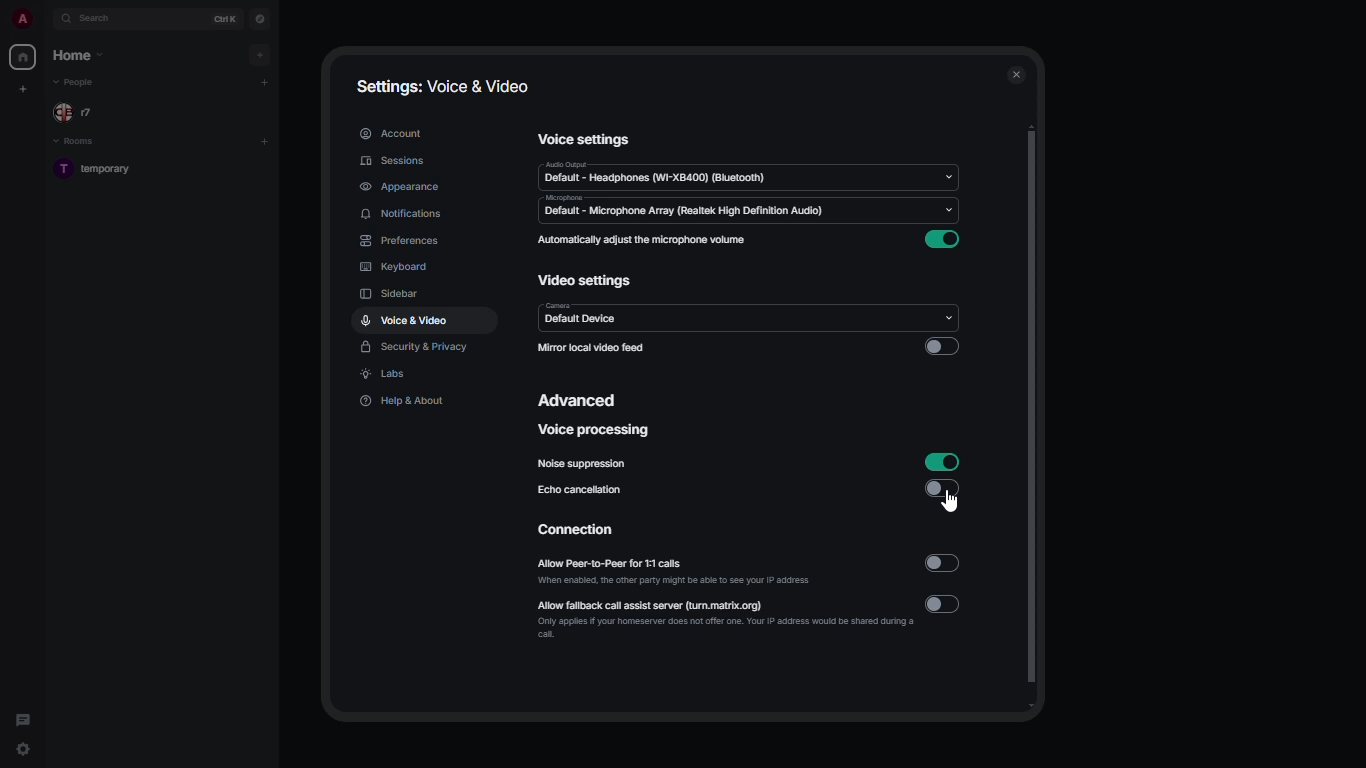 The width and height of the screenshot is (1366, 768). Describe the element at coordinates (942, 461) in the screenshot. I see `enabled` at that location.